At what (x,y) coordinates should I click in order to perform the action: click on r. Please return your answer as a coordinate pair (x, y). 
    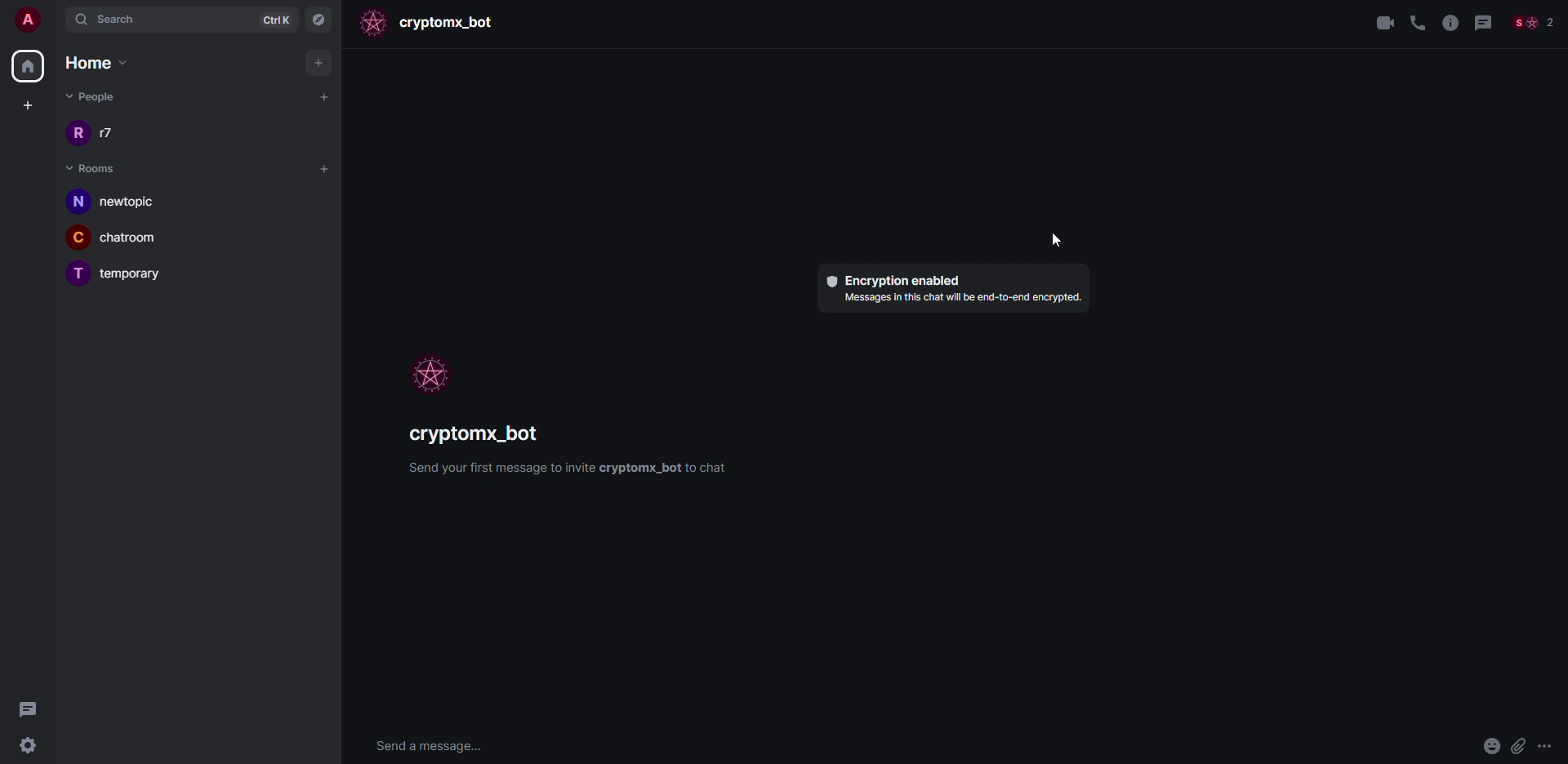
    Looking at the image, I should click on (78, 134).